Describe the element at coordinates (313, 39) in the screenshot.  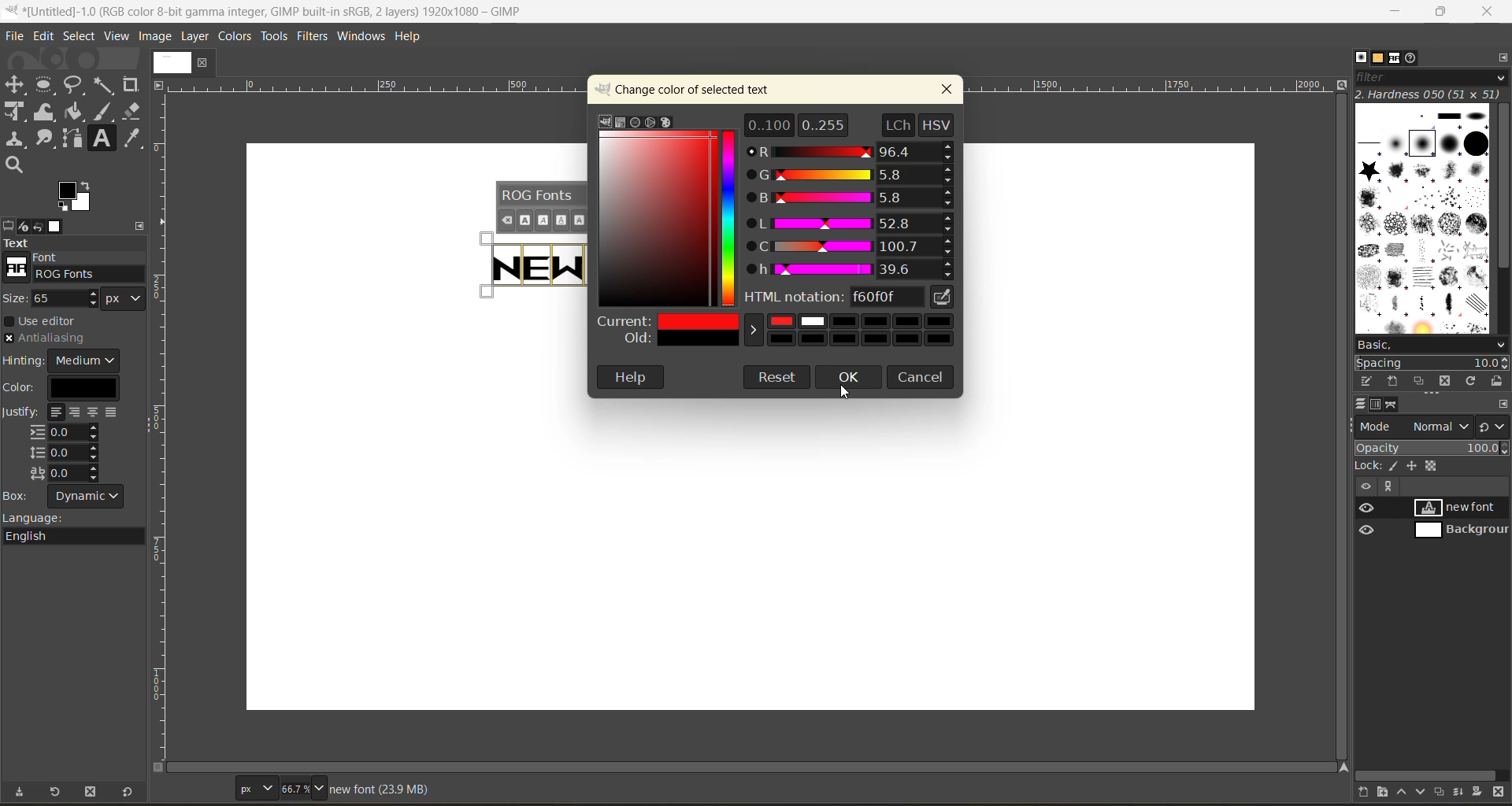
I see `filters` at that location.